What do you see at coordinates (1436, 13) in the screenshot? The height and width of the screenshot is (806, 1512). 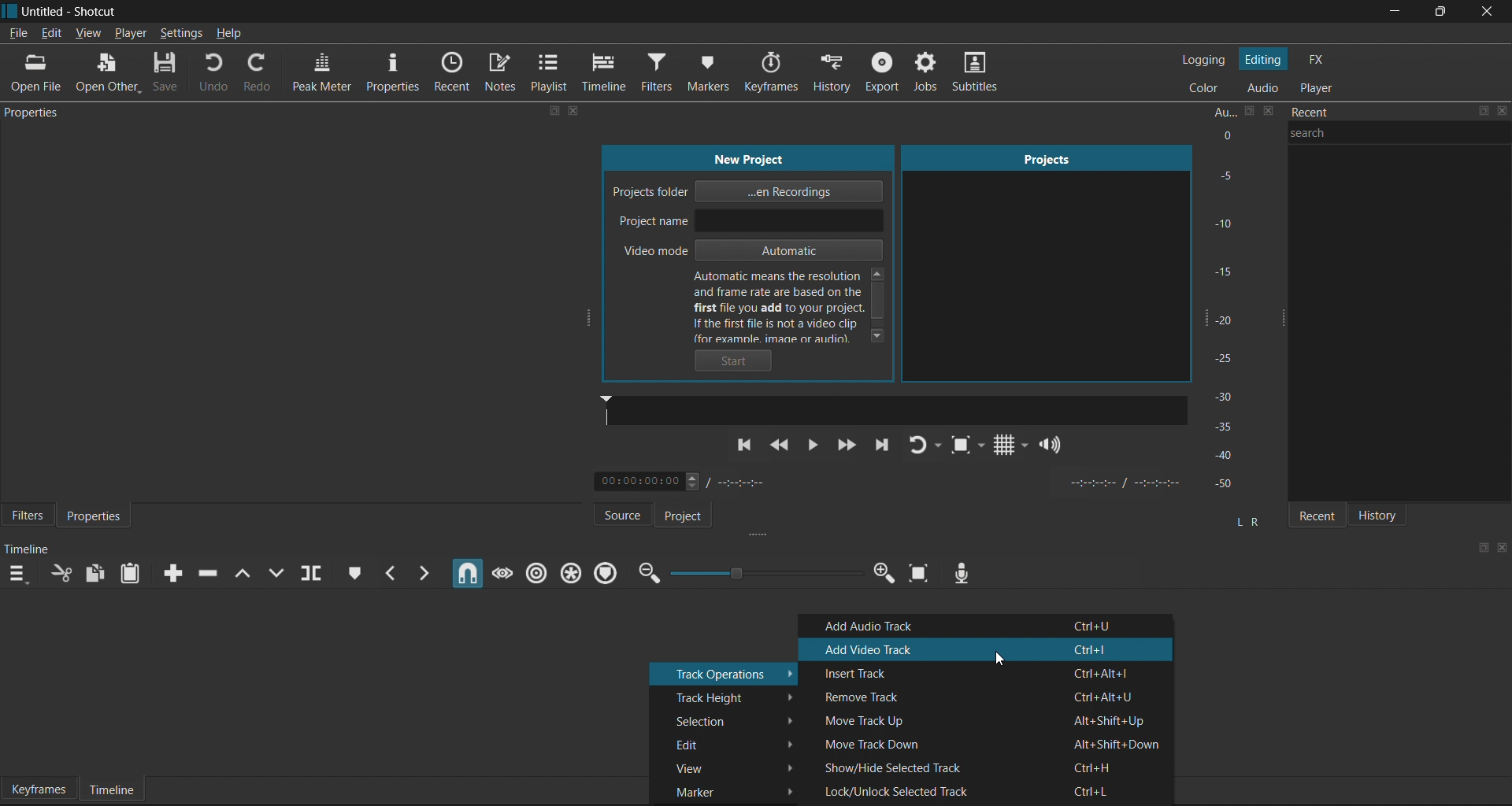 I see `maximize` at bounding box center [1436, 13].